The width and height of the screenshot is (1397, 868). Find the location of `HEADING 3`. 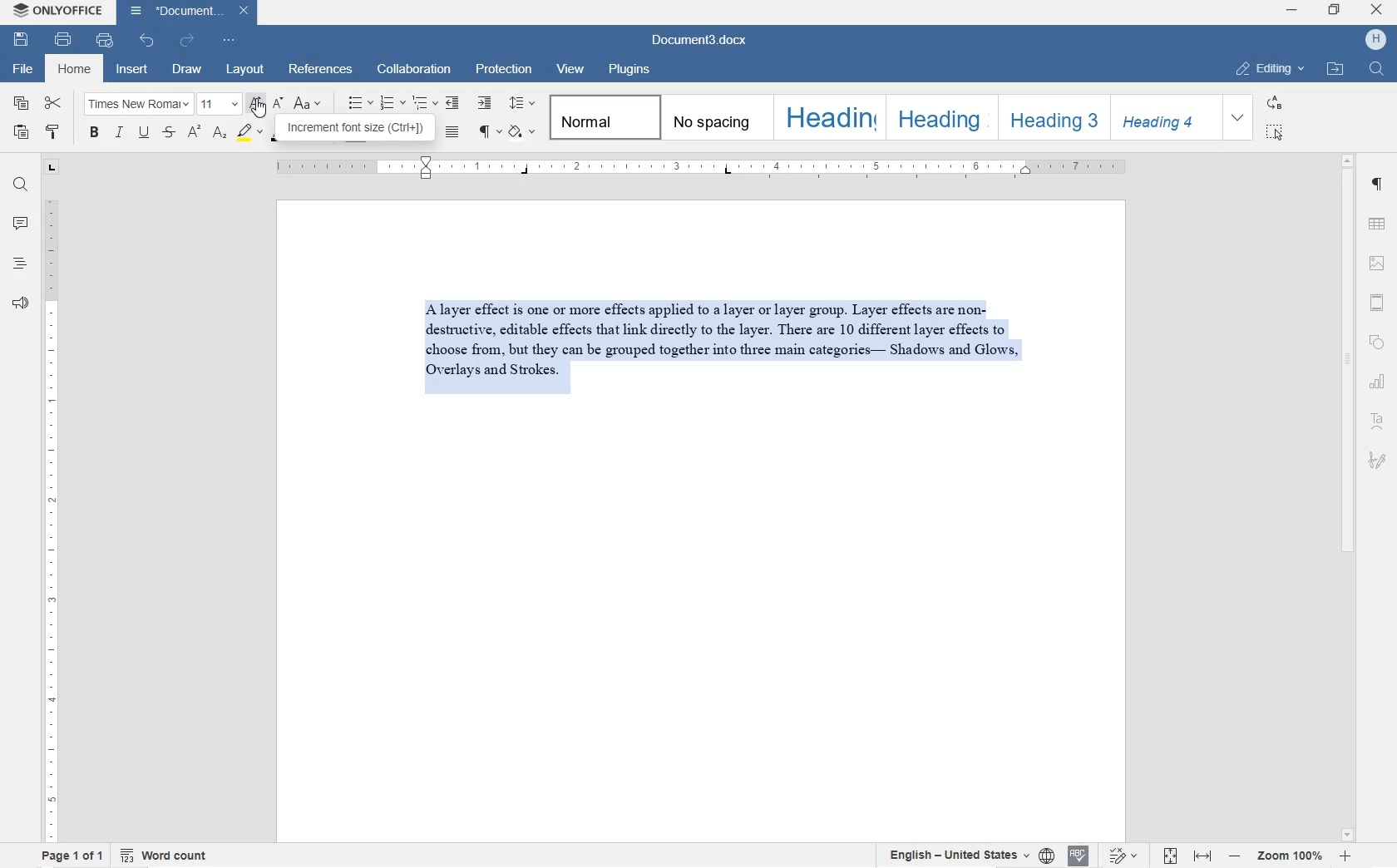

HEADING 3 is located at coordinates (1049, 116).